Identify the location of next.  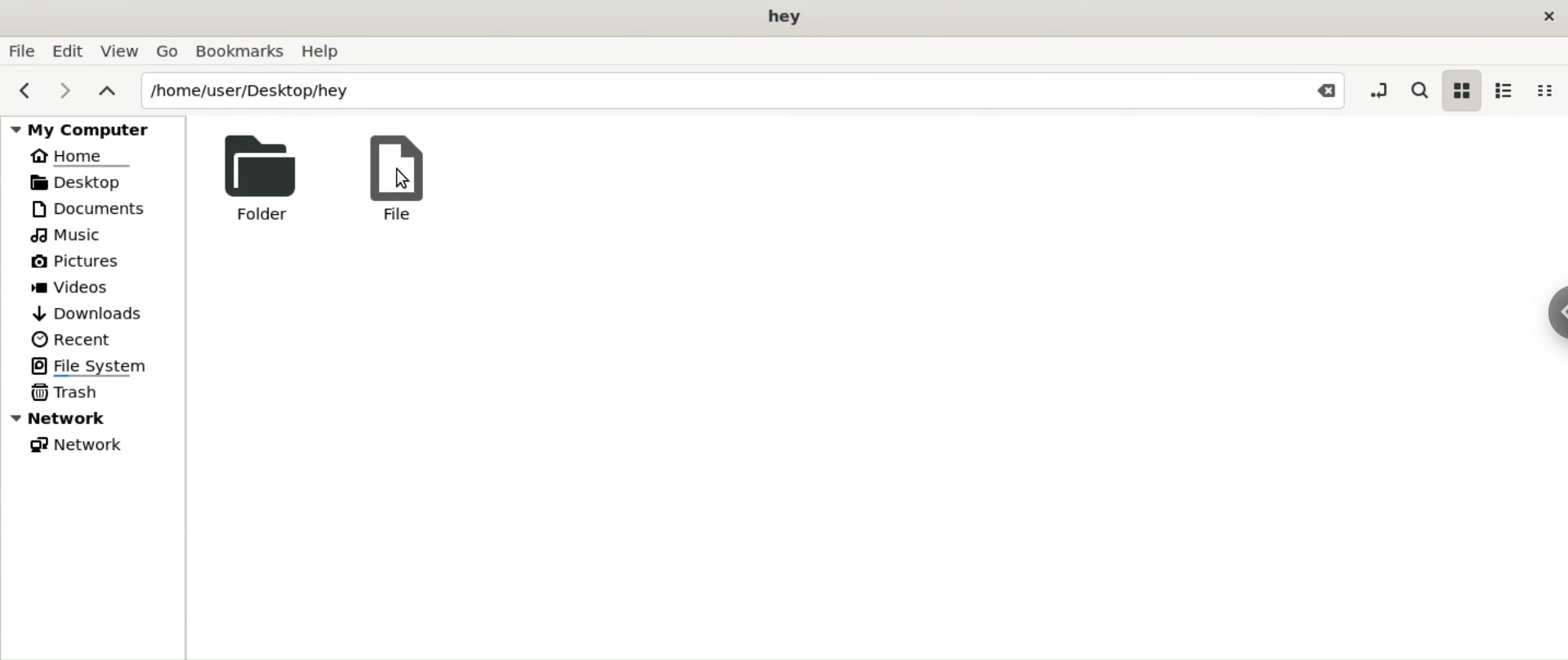
(64, 94).